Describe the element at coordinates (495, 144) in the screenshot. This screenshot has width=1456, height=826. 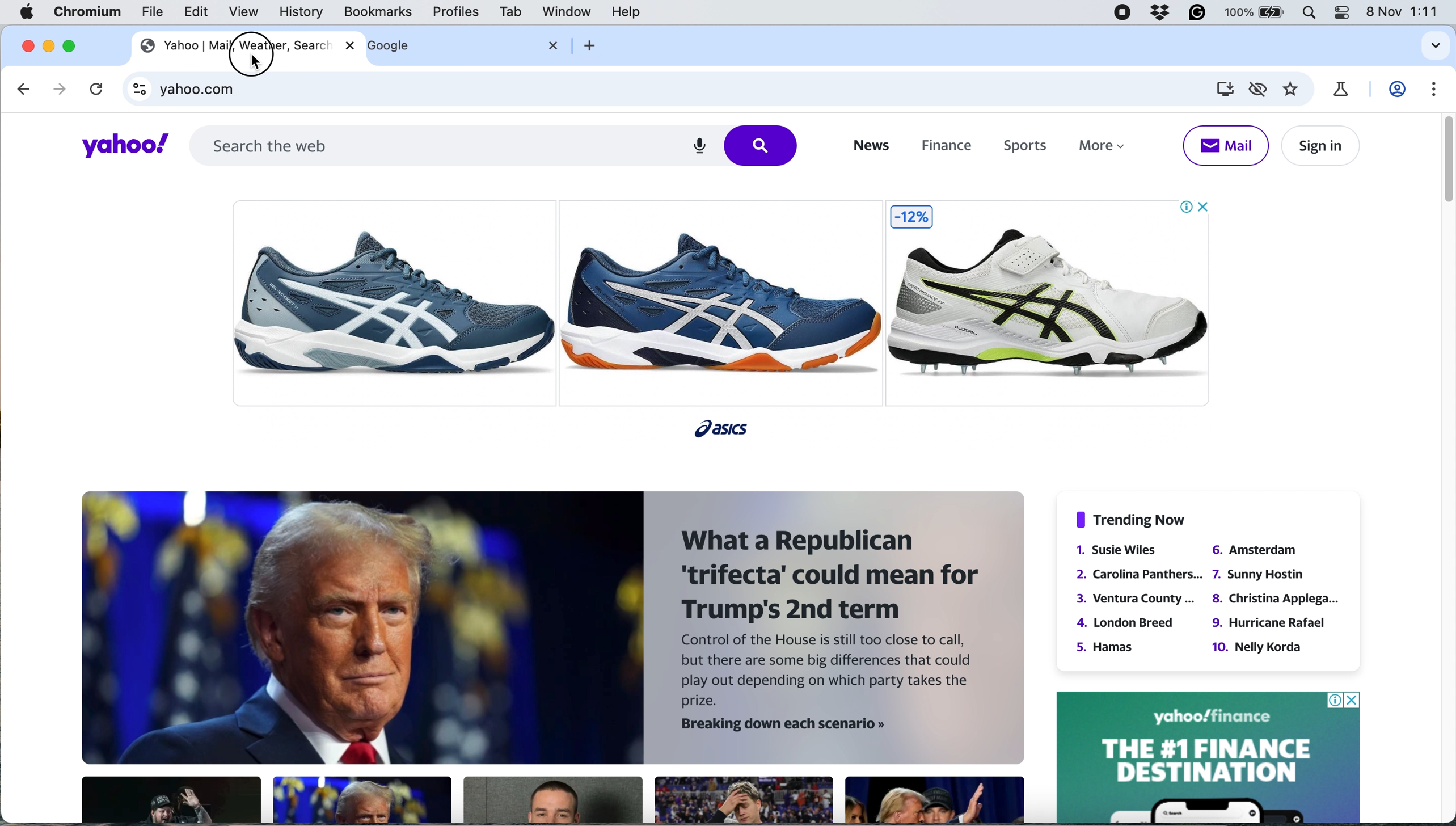
I see `search the web` at that location.